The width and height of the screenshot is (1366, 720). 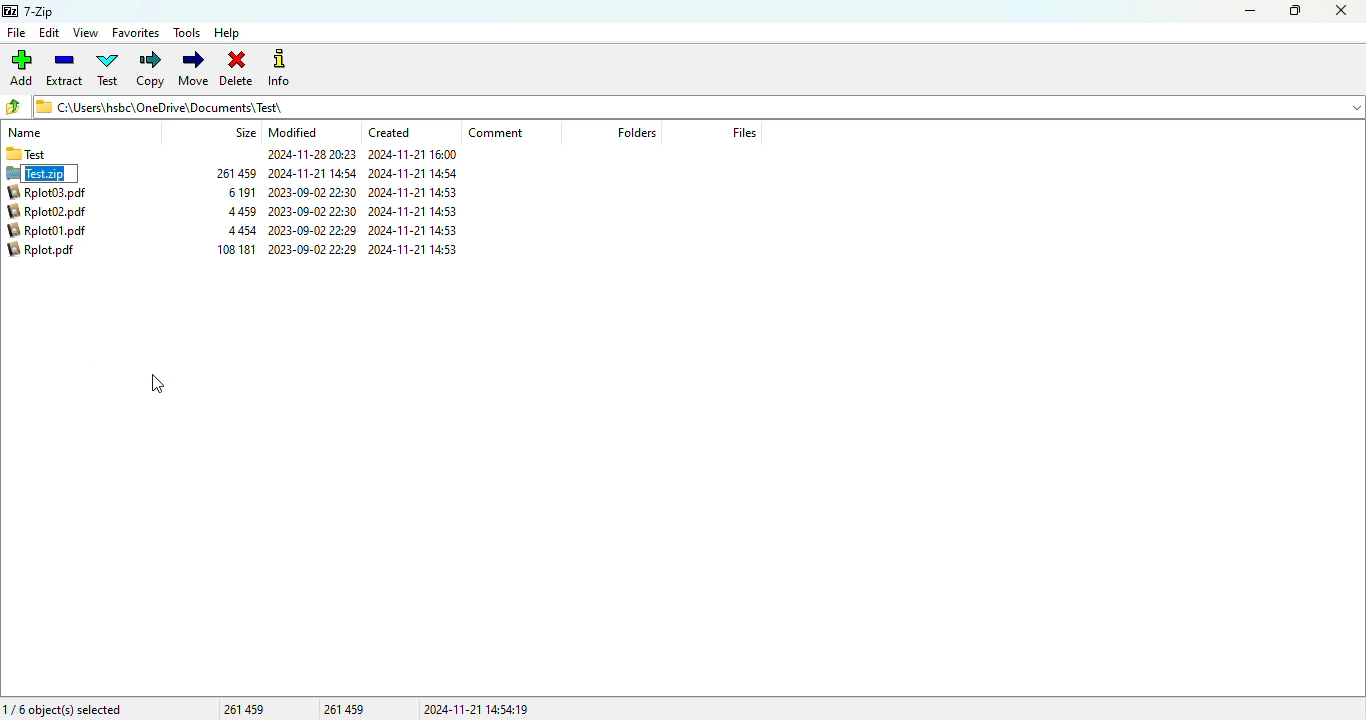 I want to click on maximize, so click(x=1295, y=11).